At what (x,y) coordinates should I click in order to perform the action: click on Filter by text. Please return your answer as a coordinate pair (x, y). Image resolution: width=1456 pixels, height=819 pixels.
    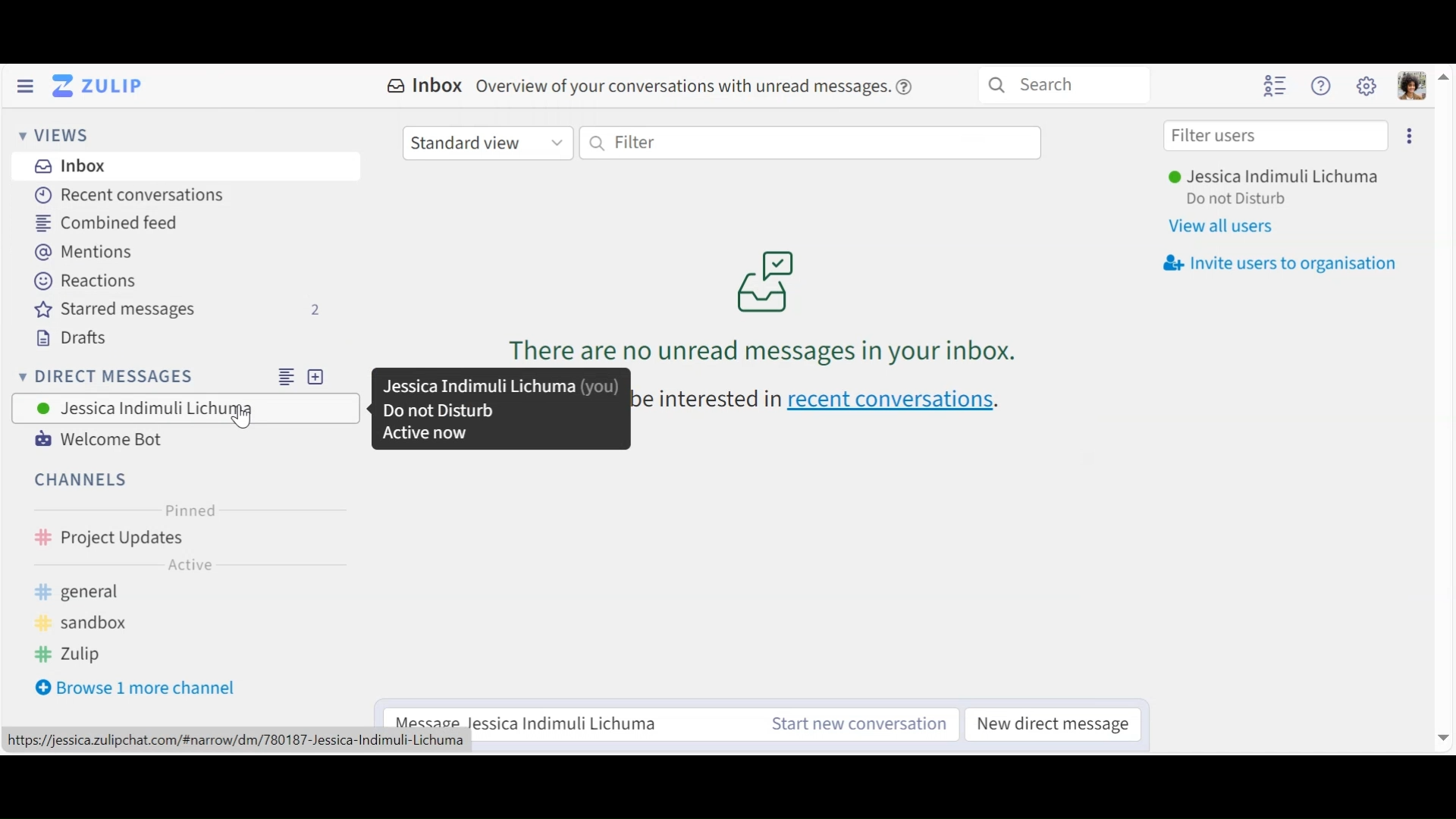
    Looking at the image, I should click on (809, 143).